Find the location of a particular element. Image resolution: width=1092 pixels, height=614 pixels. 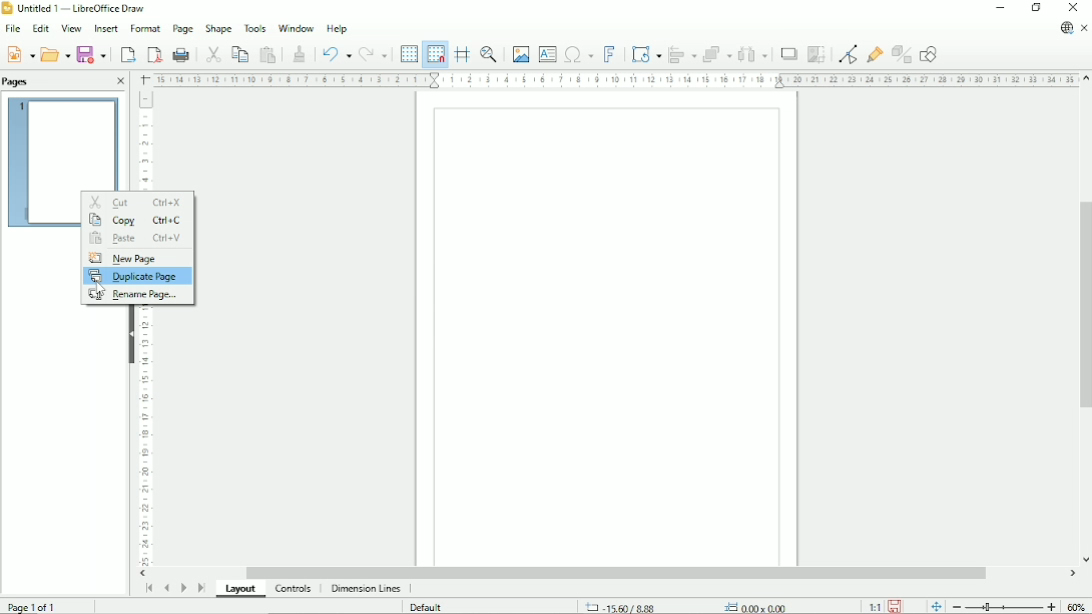

Paste is located at coordinates (132, 239).